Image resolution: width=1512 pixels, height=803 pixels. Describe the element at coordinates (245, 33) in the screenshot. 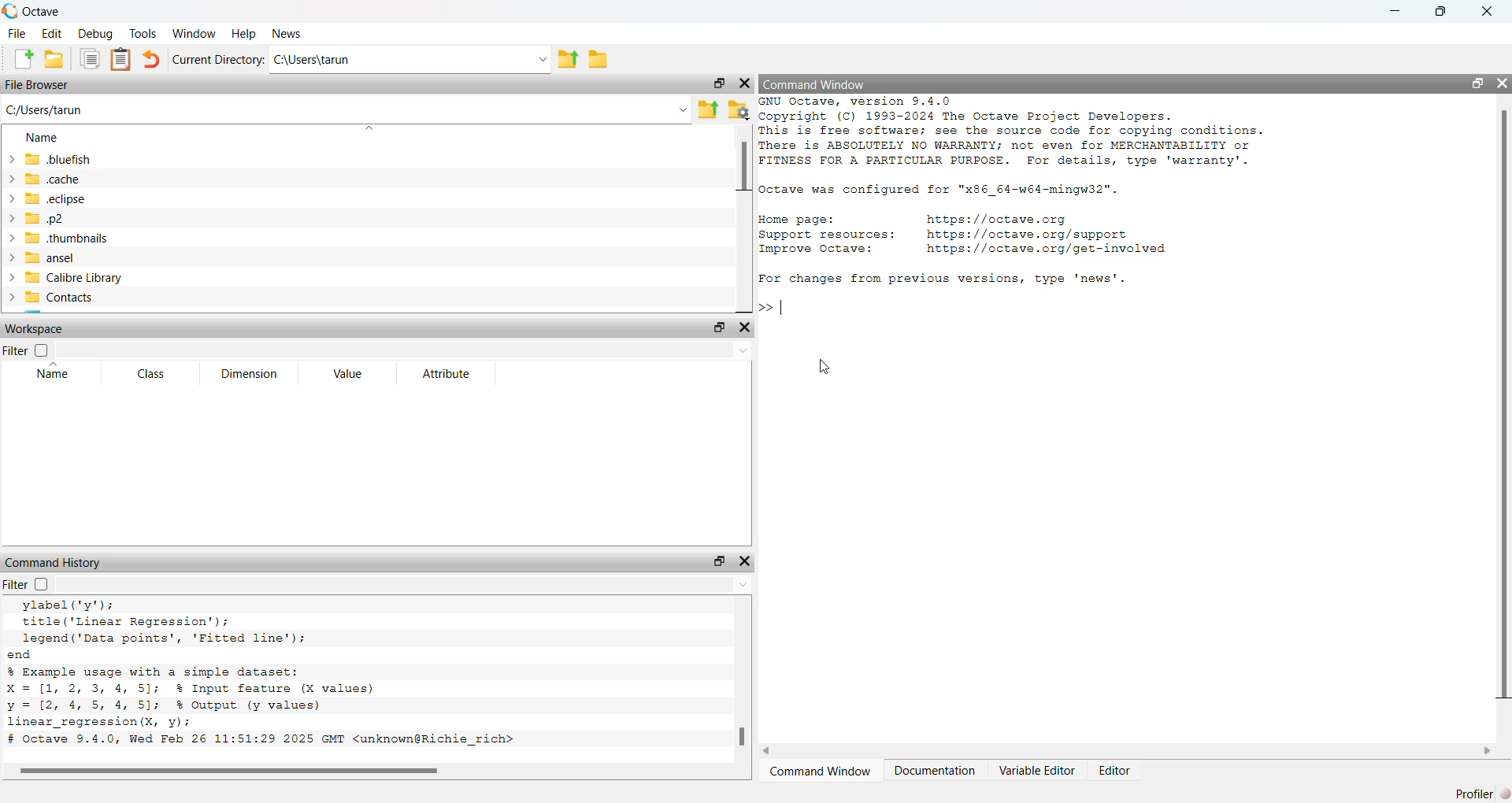

I see `help` at that location.